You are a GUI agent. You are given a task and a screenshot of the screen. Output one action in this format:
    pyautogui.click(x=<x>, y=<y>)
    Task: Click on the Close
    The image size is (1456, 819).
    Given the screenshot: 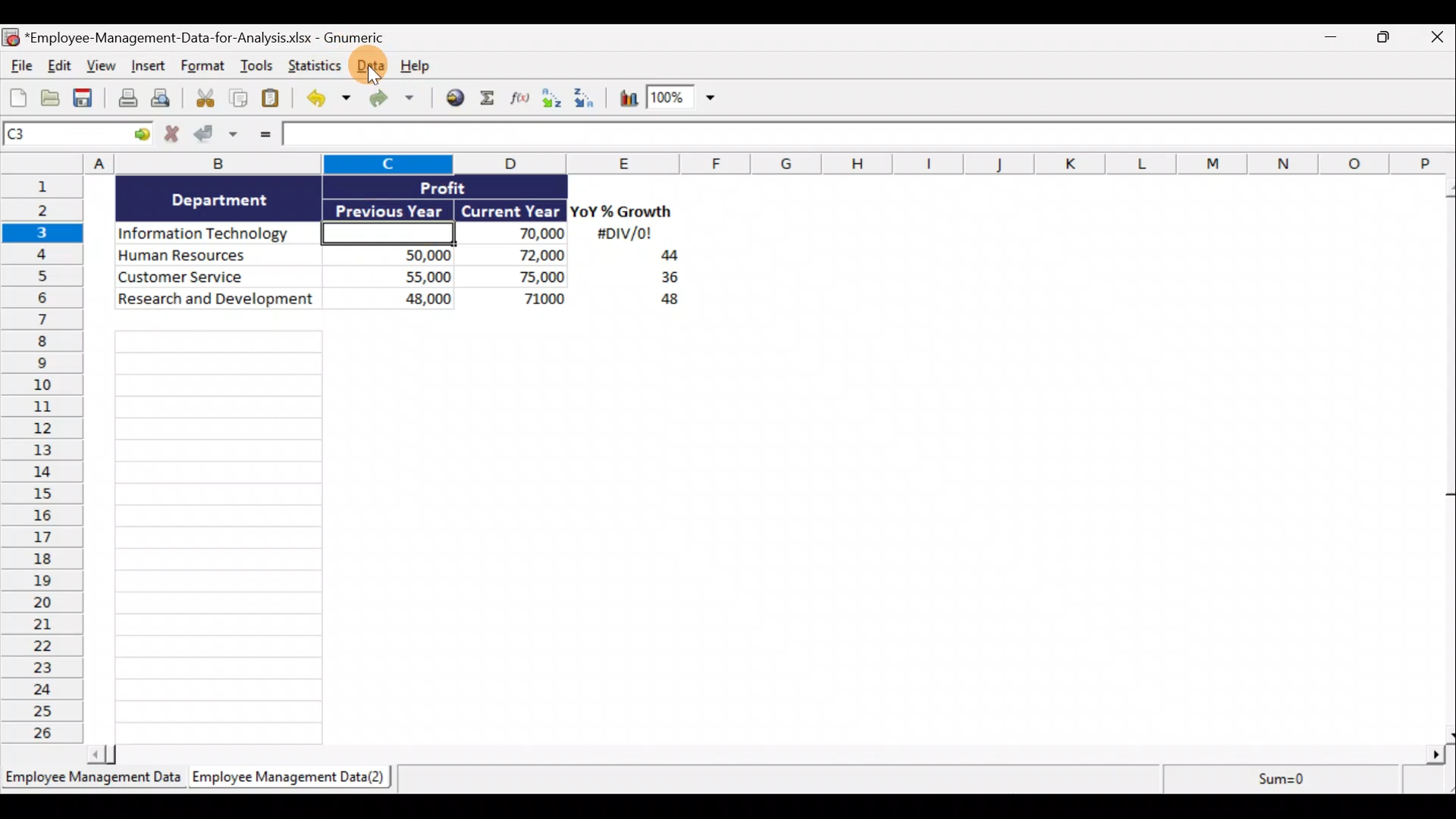 What is the action you would take?
    pyautogui.click(x=1434, y=40)
    